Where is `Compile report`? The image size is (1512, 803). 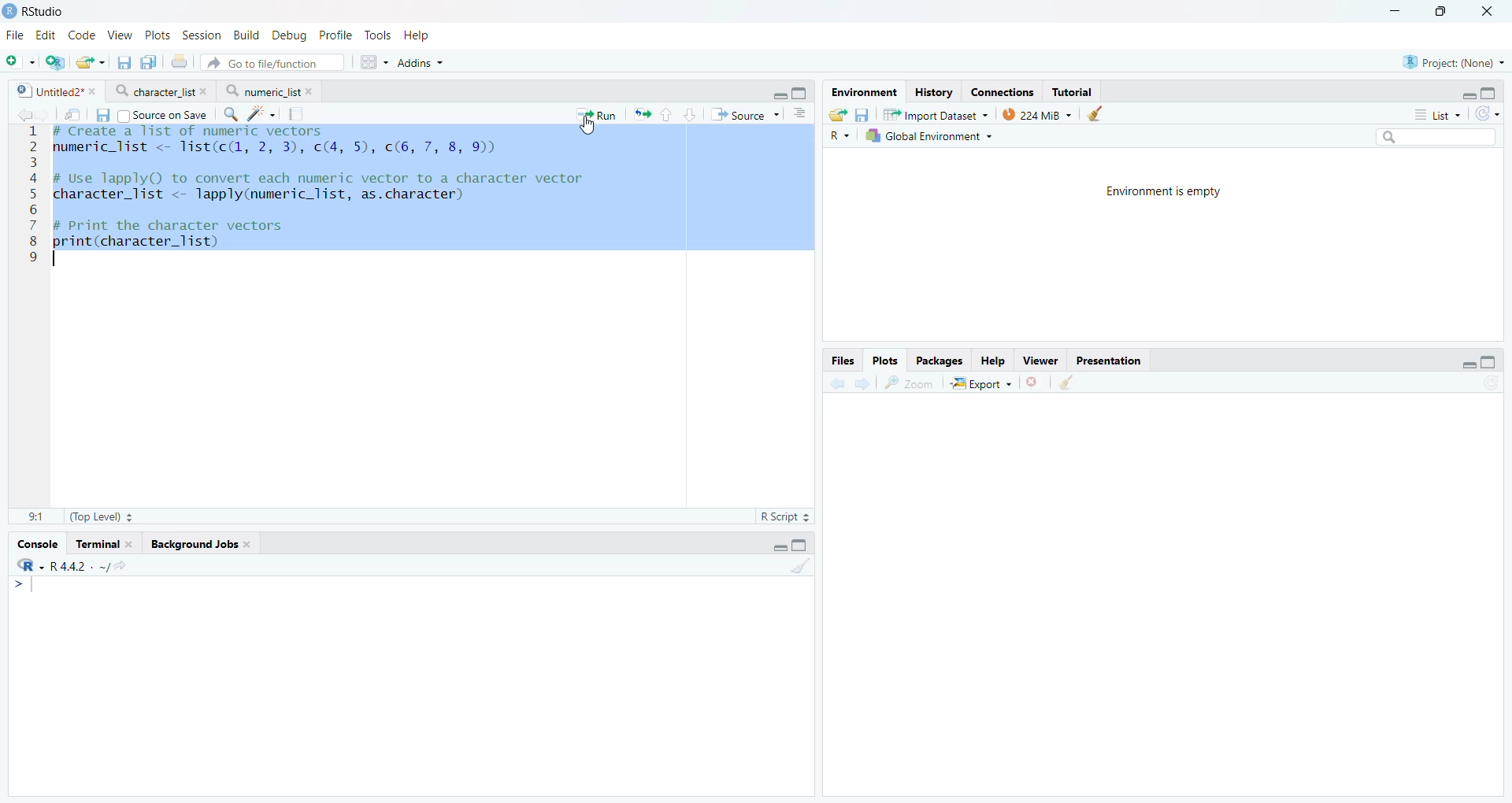
Compile report is located at coordinates (298, 113).